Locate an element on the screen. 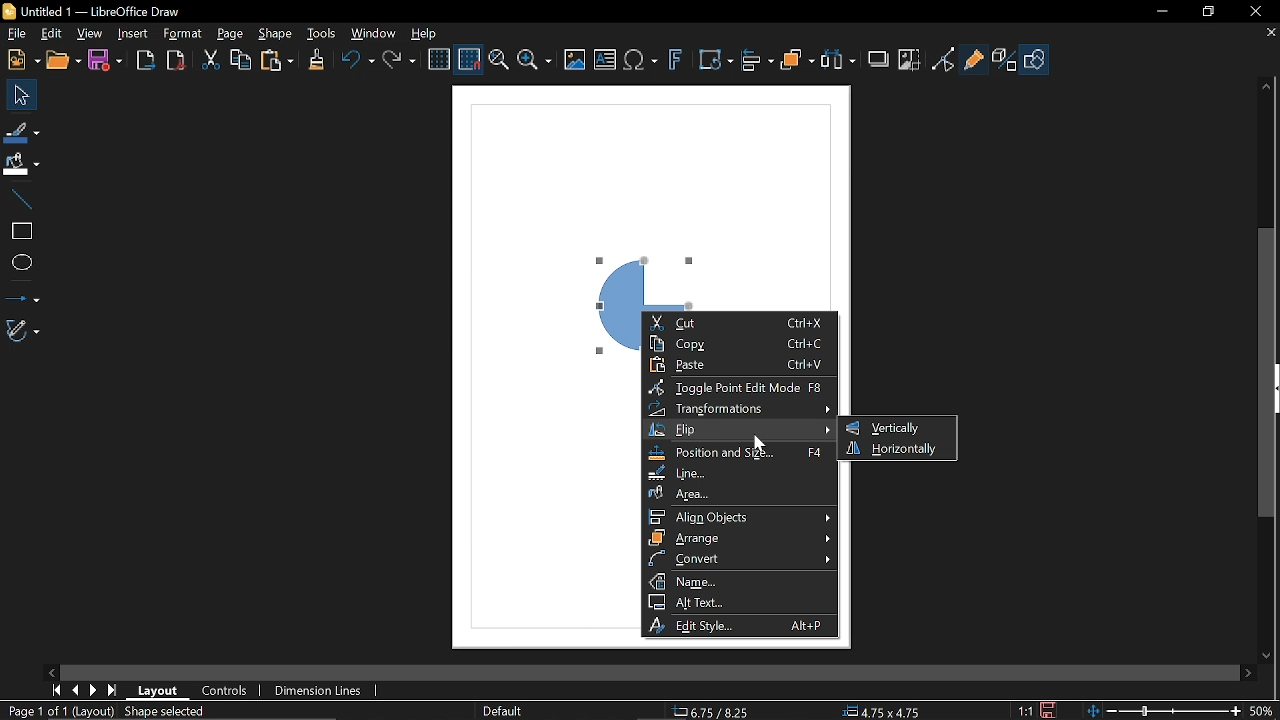  Minimize is located at coordinates (1161, 10).